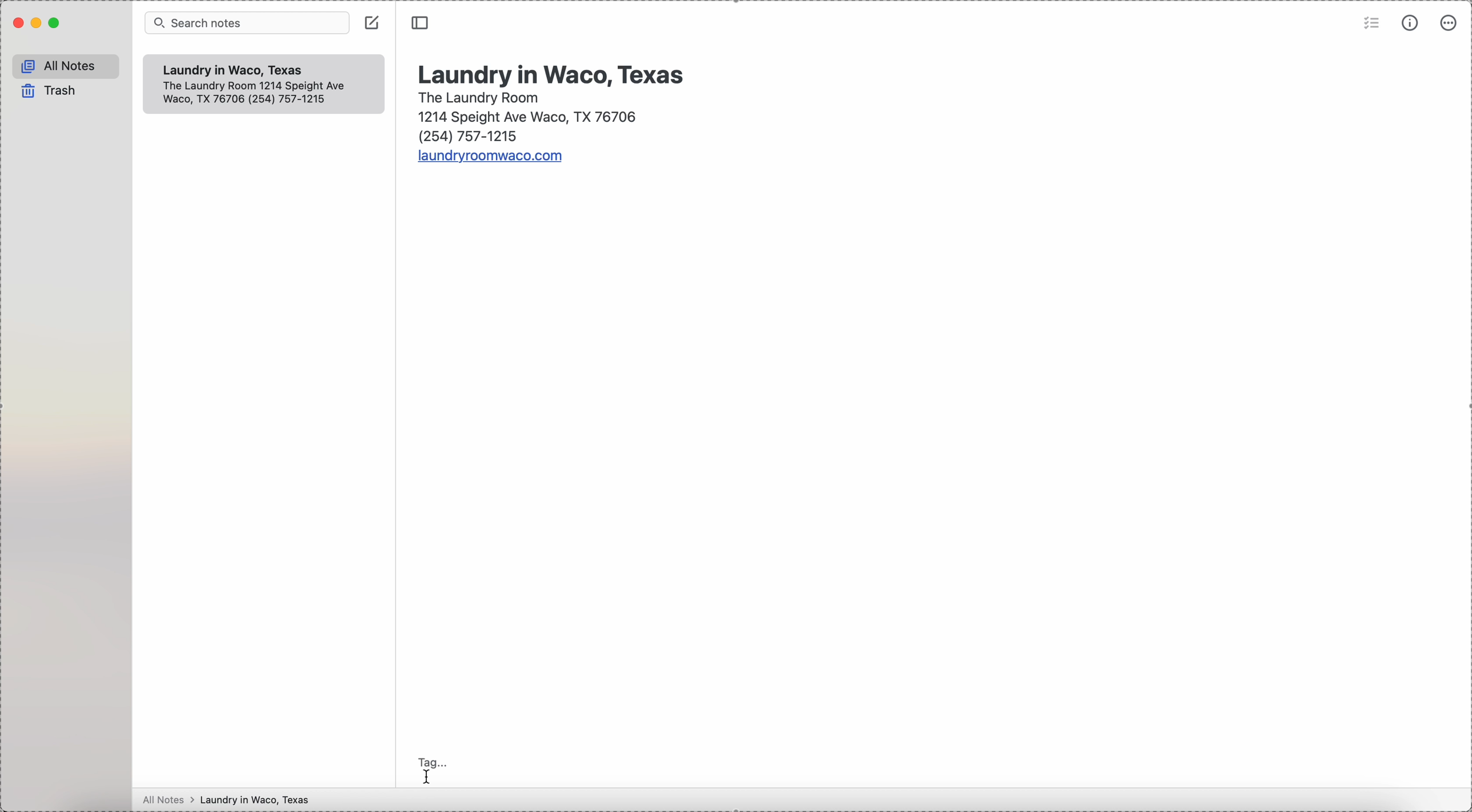 This screenshot has width=1472, height=812. Describe the element at coordinates (422, 24) in the screenshot. I see `toggle sidebar` at that location.